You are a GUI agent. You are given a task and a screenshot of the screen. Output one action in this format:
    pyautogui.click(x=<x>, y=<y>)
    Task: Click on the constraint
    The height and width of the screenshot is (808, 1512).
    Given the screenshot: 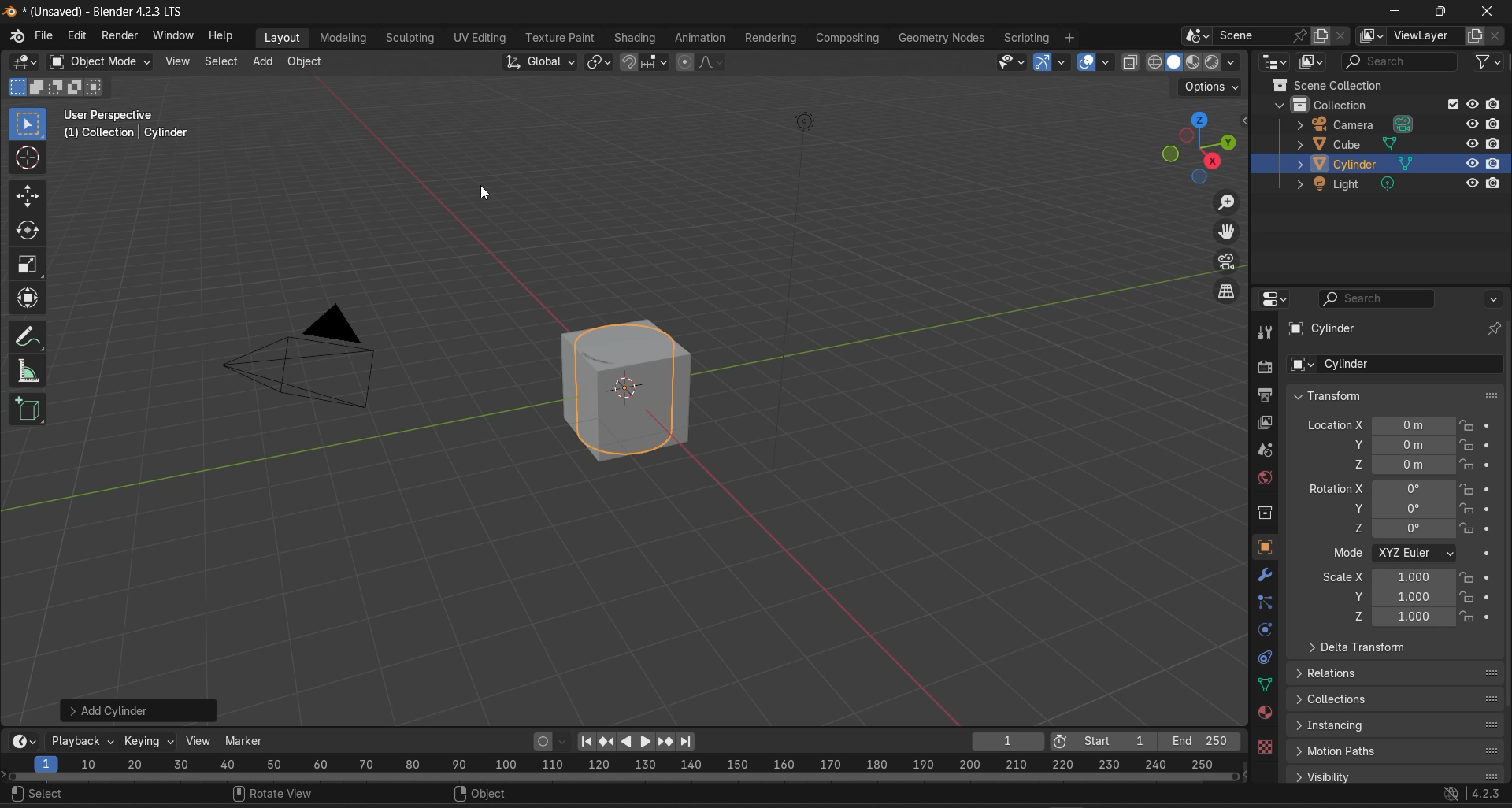 What is the action you would take?
    pyautogui.click(x=1265, y=658)
    